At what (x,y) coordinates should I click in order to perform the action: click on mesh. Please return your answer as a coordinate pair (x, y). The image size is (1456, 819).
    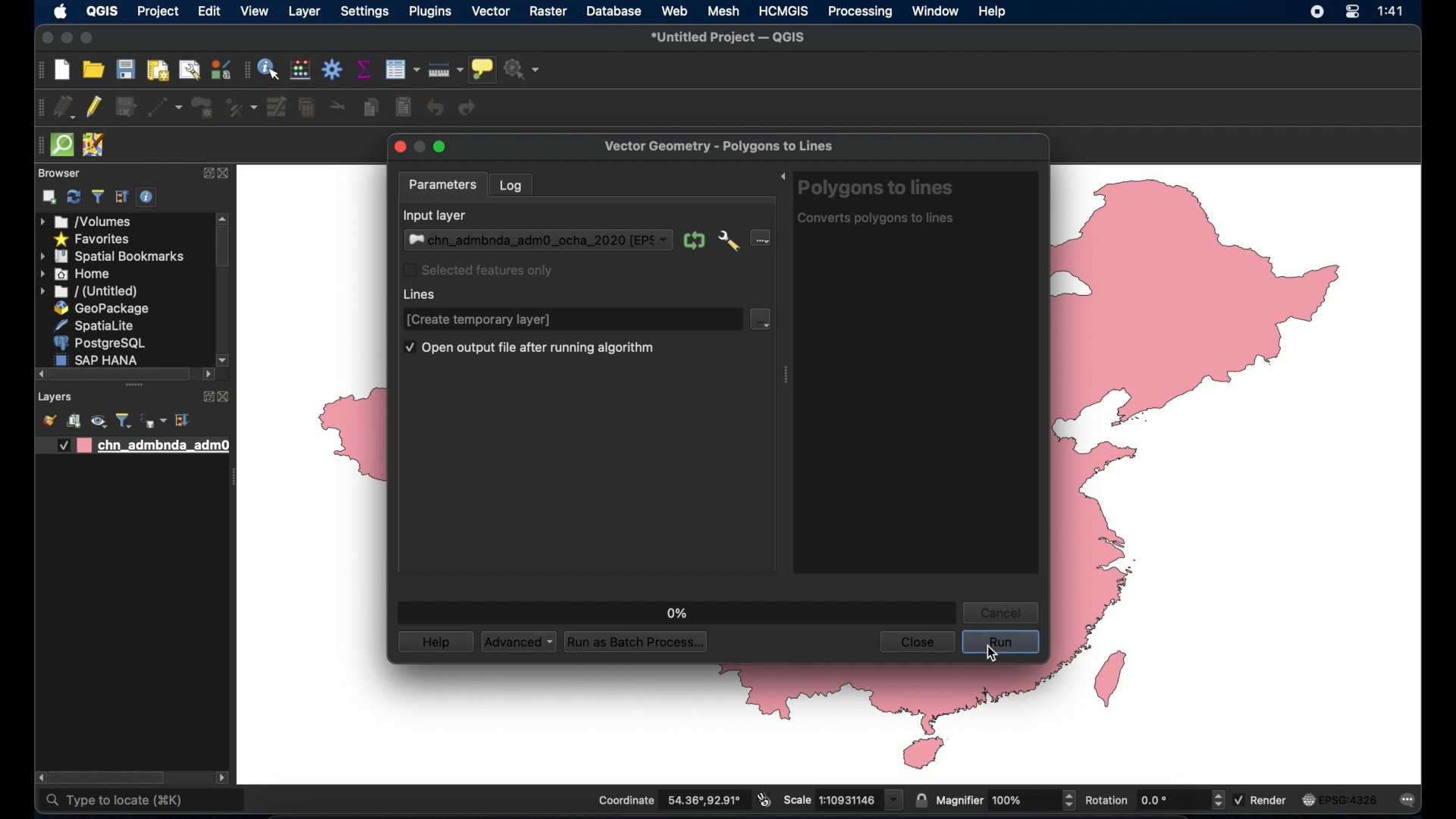
    Looking at the image, I should click on (724, 11).